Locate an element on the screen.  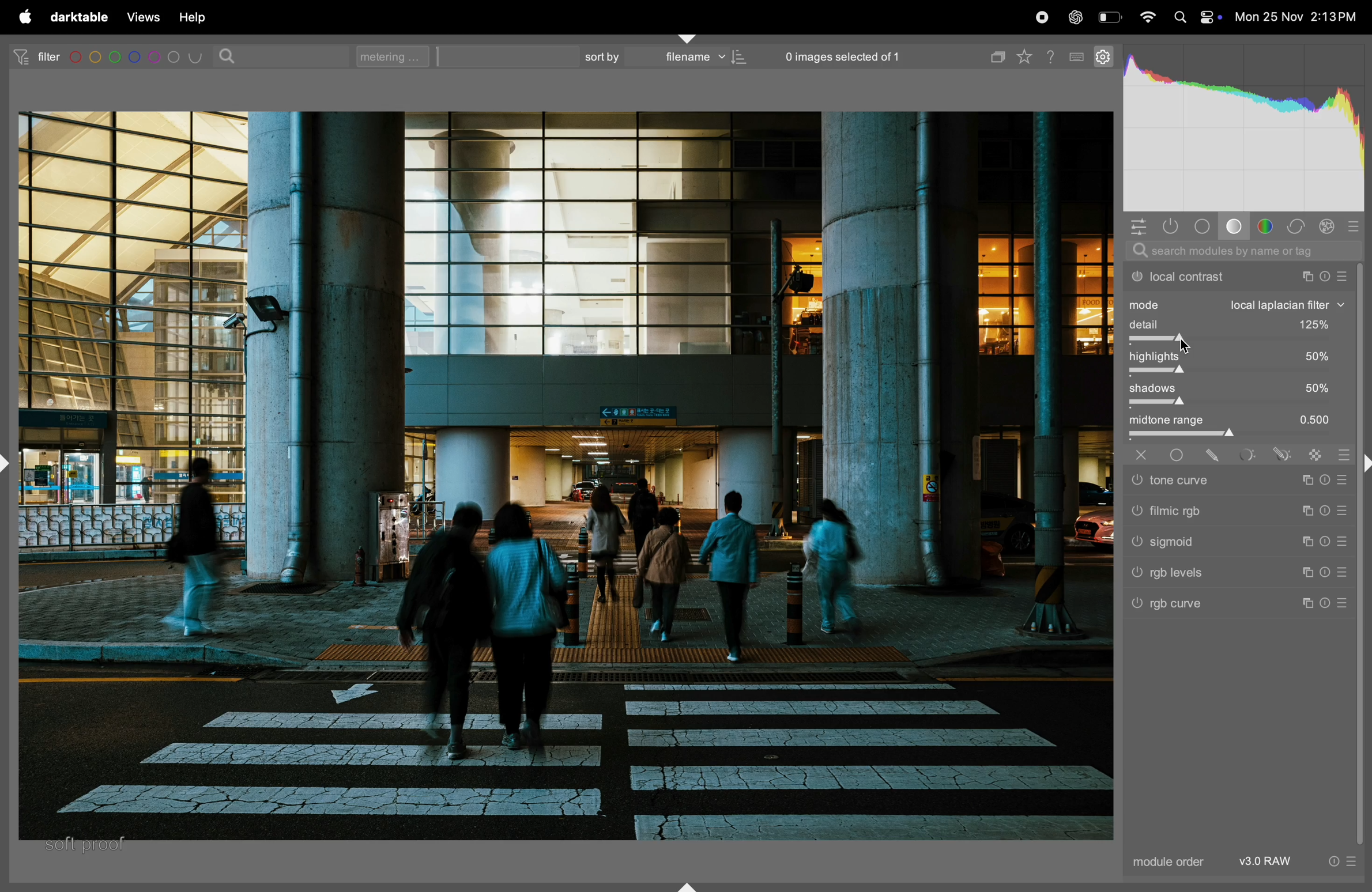
reset is located at coordinates (1326, 571).